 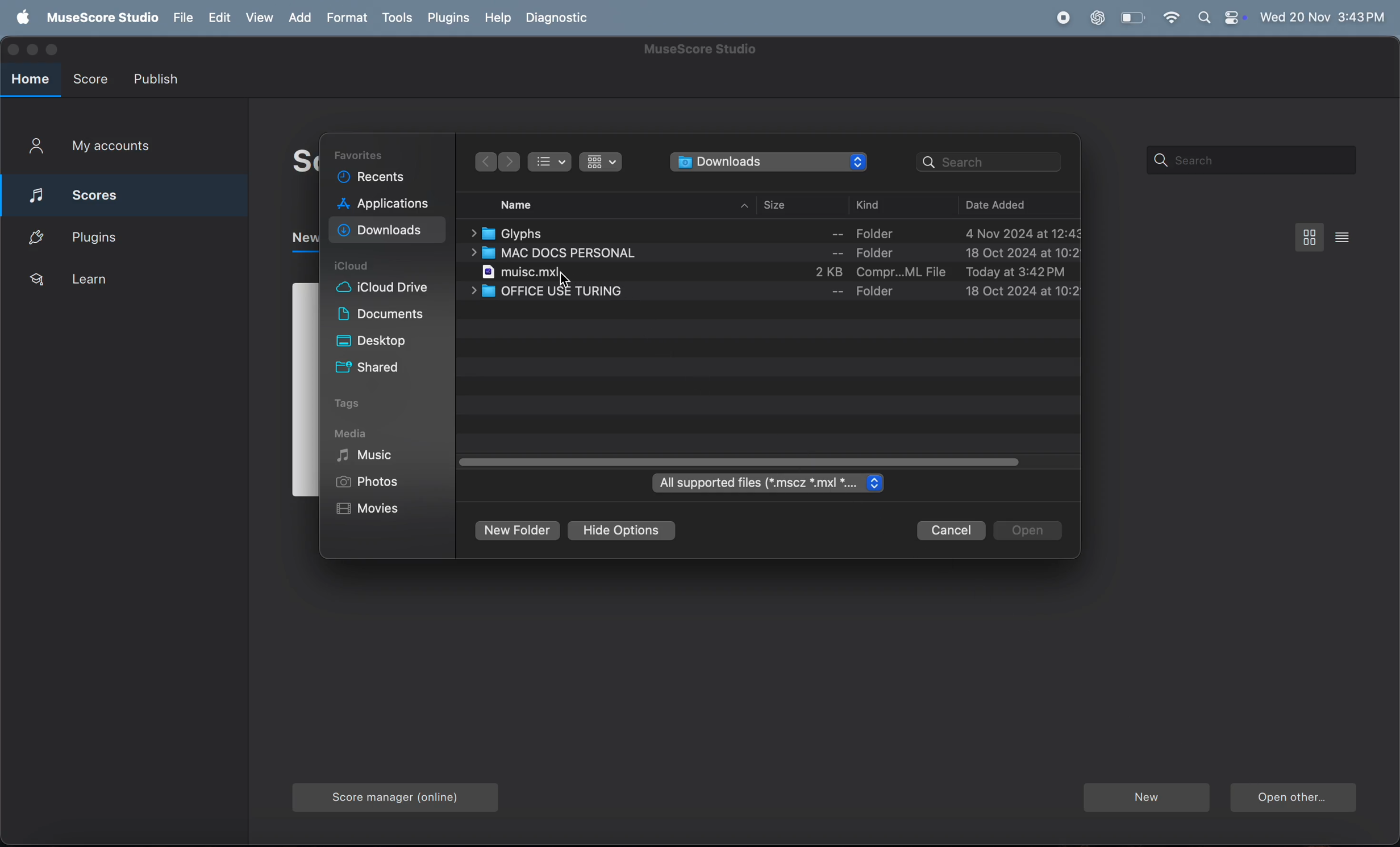 I want to click on hide options, so click(x=622, y=532).